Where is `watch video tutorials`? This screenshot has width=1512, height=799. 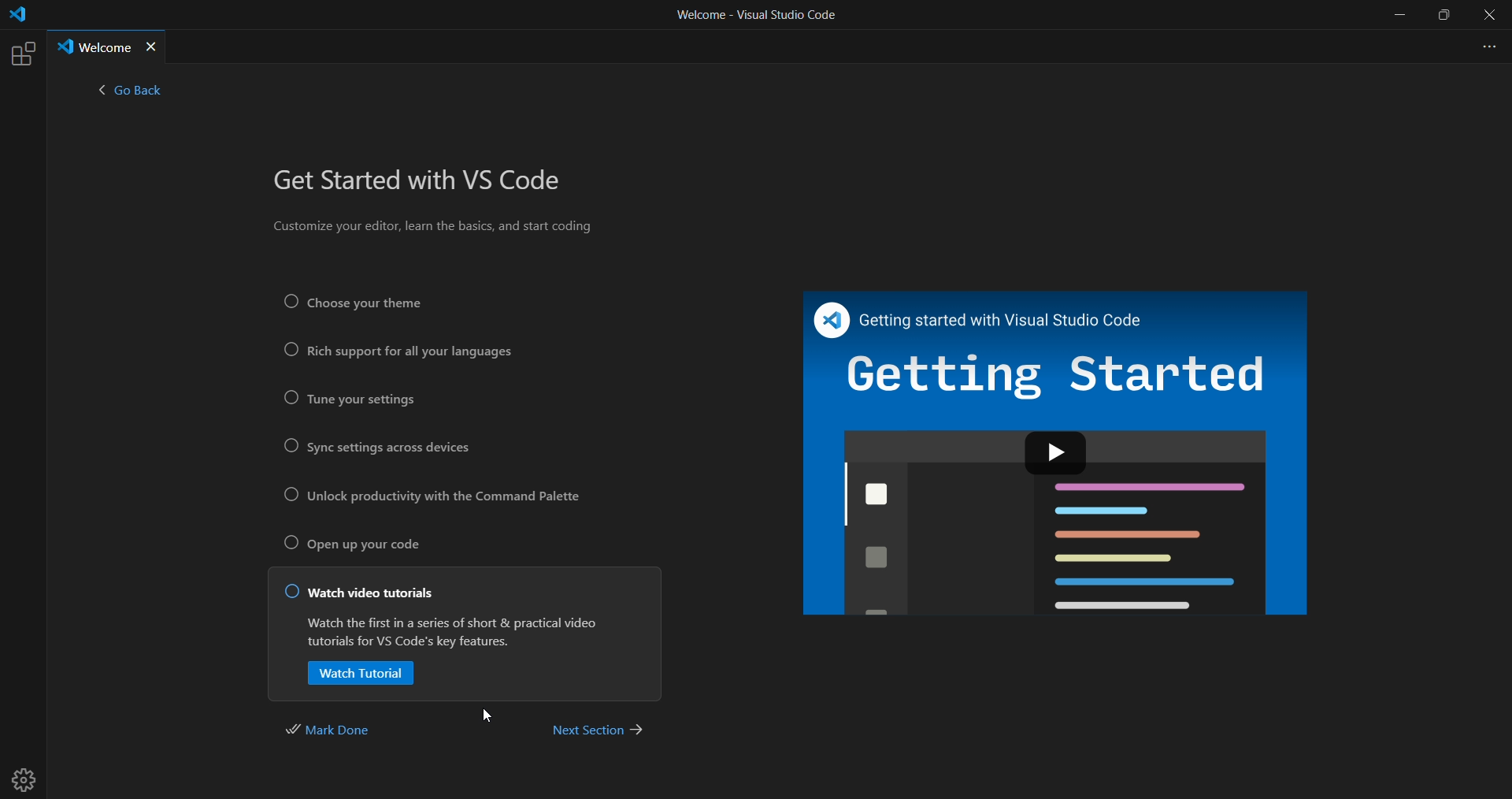 watch video tutorials is located at coordinates (365, 591).